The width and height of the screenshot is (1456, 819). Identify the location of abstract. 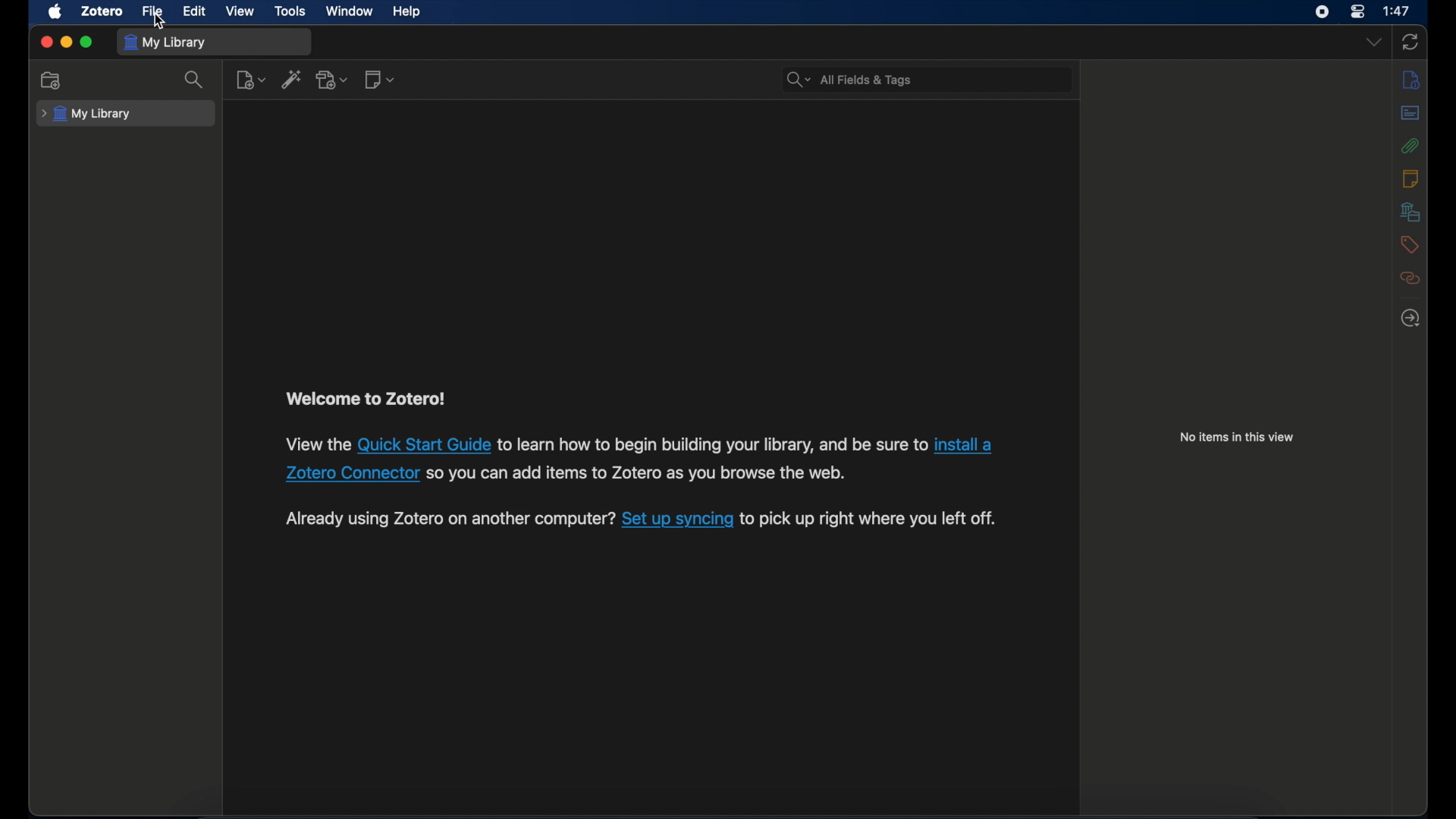
(1411, 114).